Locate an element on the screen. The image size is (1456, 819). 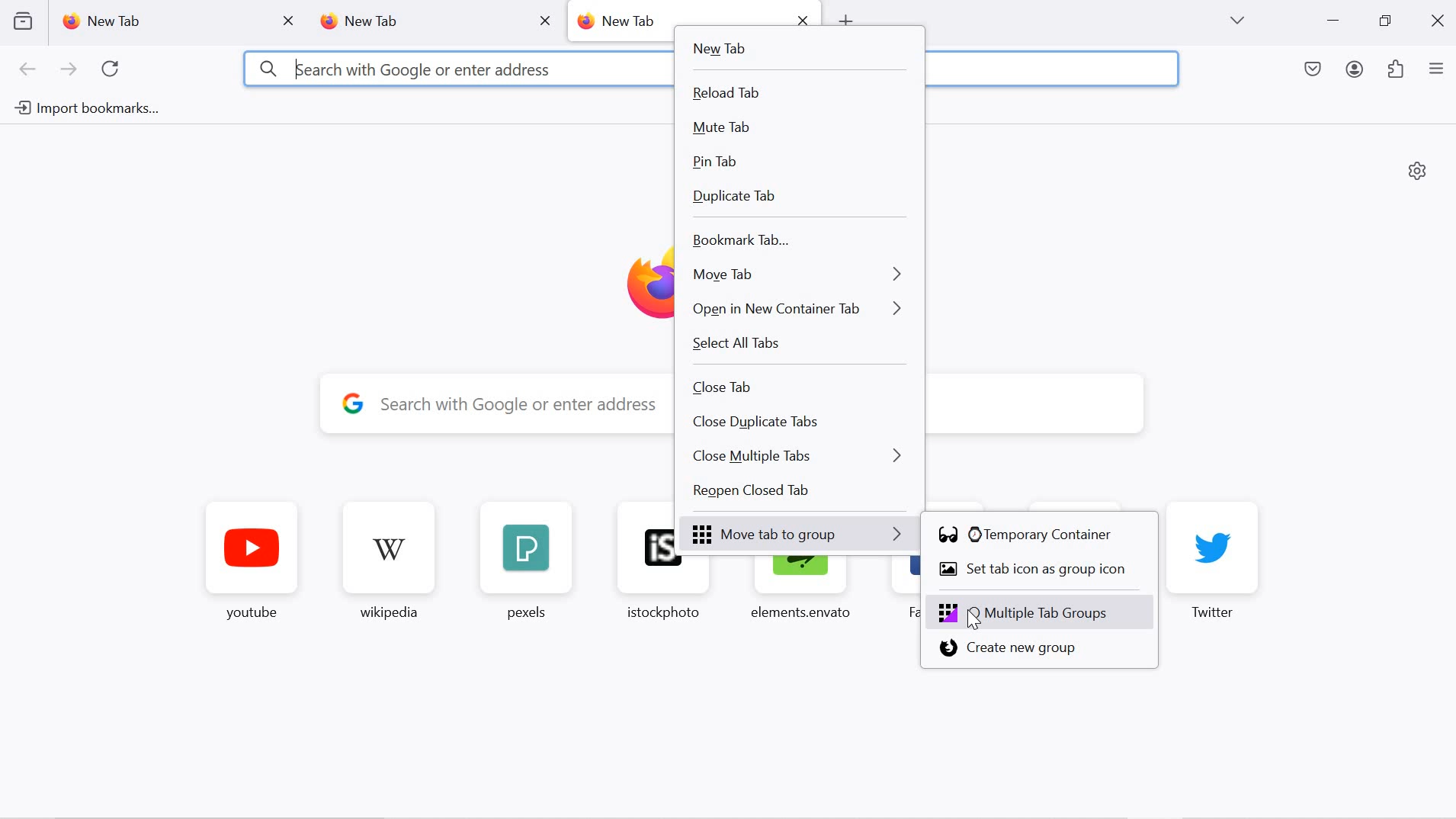
pin tab is located at coordinates (792, 165).